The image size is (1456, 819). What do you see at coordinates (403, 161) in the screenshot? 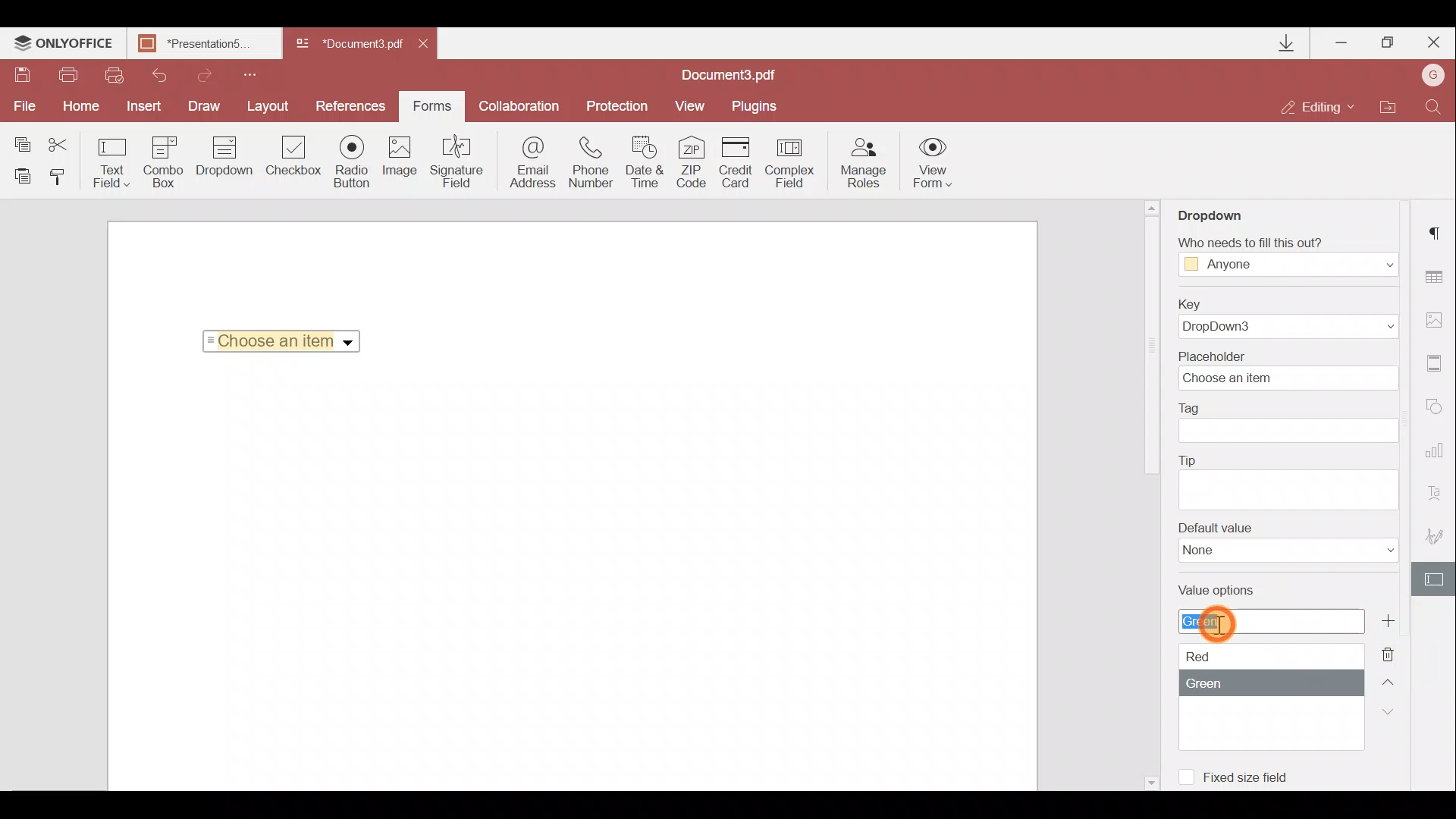
I see `Image` at bounding box center [403, 161].